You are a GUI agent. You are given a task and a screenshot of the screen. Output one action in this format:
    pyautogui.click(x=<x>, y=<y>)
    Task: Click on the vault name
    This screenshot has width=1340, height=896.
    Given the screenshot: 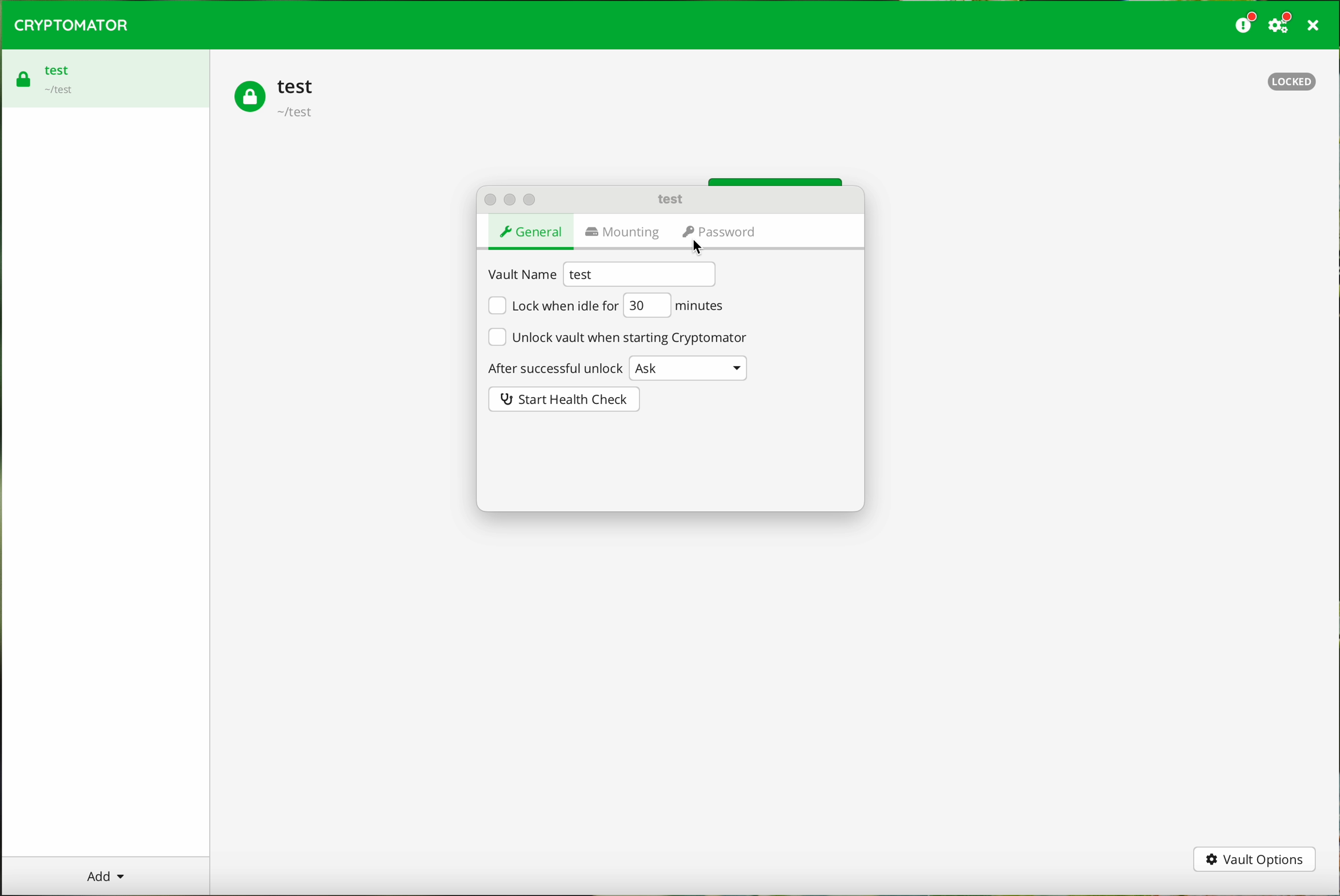 What is the action you would take?
    pyautogui.click(x=522, y=275)
    